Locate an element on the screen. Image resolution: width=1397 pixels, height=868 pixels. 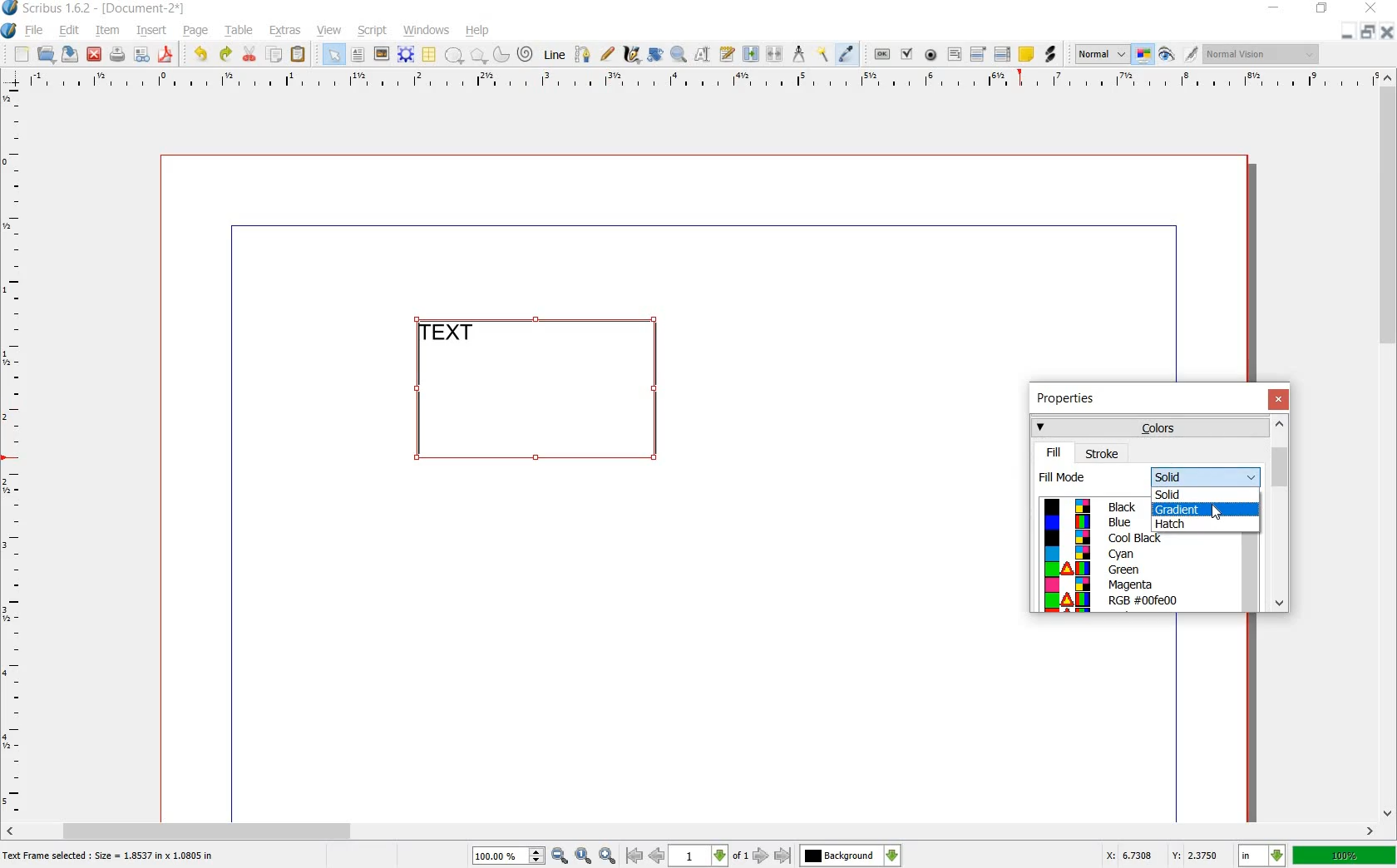
link annotation is located at coordinates (1049, 55).